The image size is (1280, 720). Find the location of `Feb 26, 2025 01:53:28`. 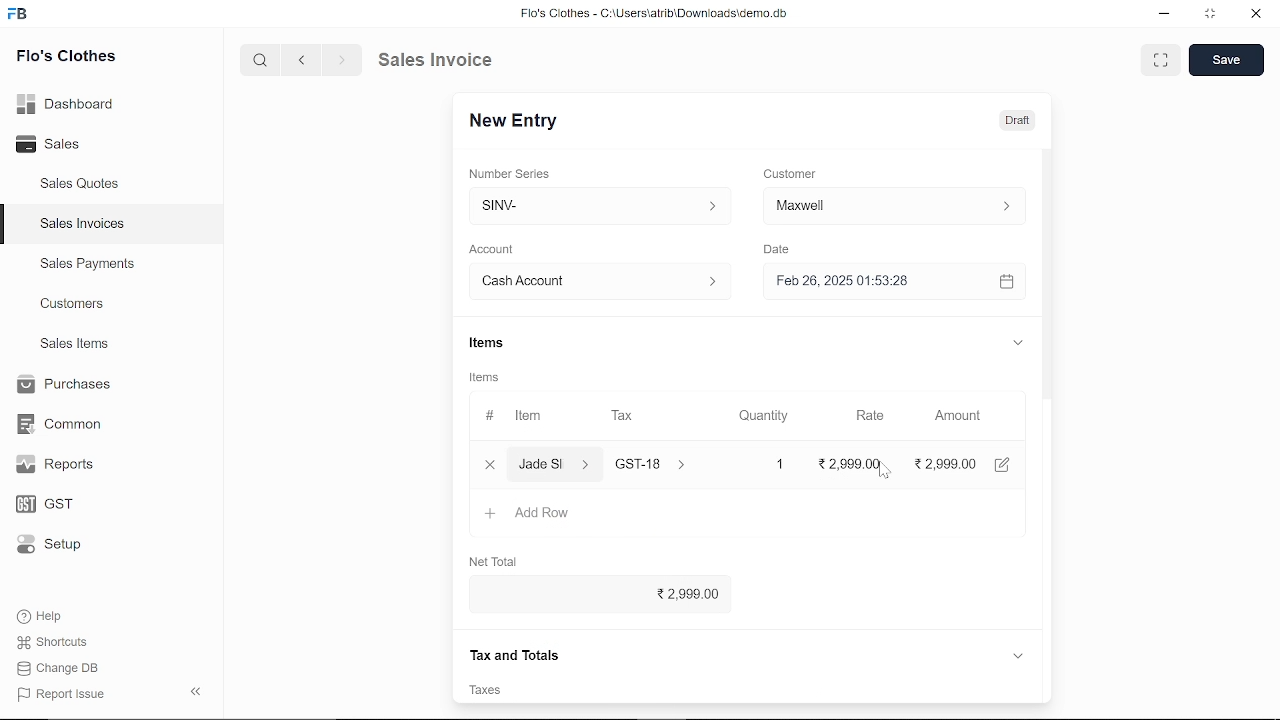

Feb 26, 2025 01:53:28 is located at coordinates (870, 282).